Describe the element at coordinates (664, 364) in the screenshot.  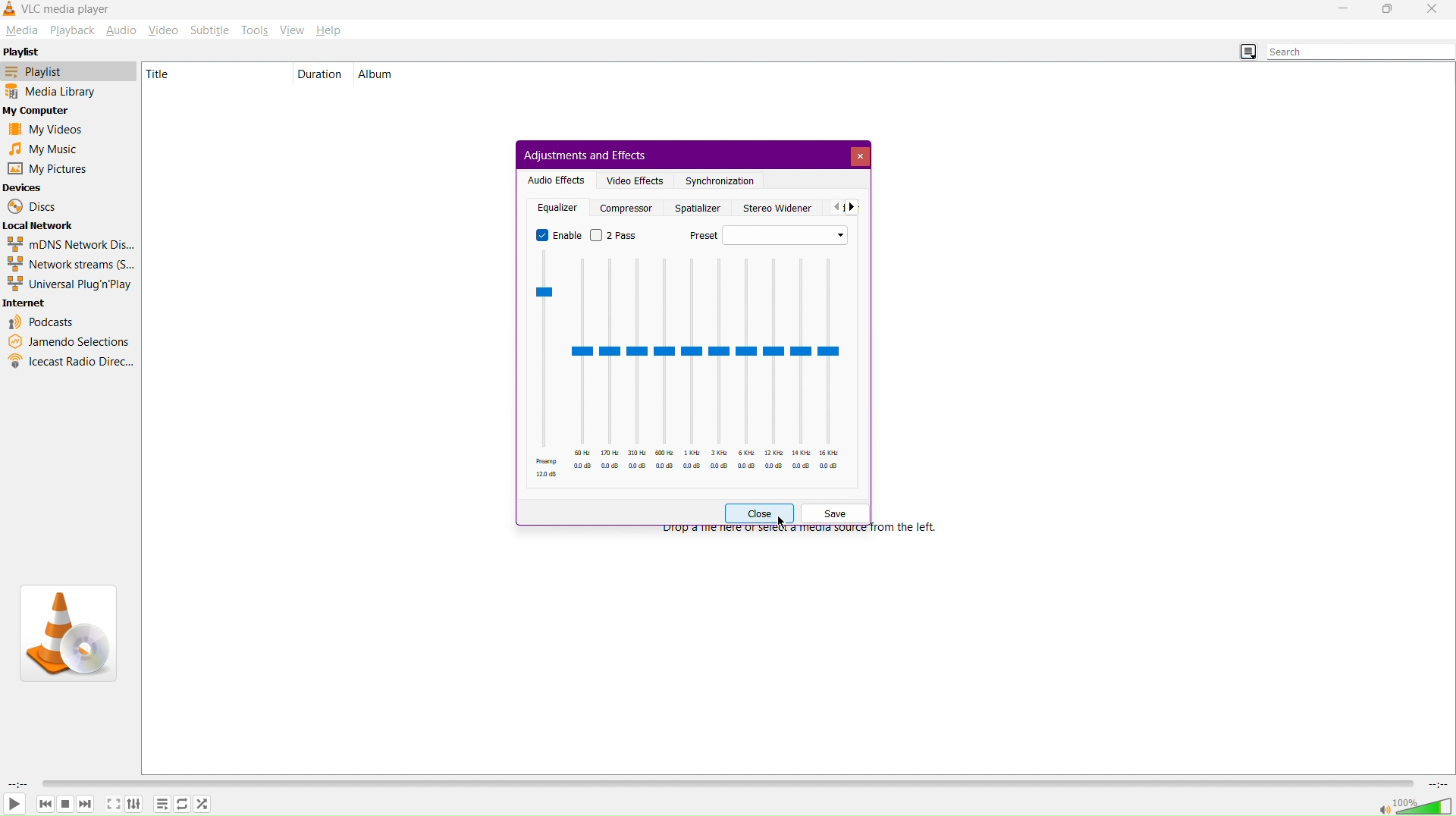
I see `600 Hz` at that location.